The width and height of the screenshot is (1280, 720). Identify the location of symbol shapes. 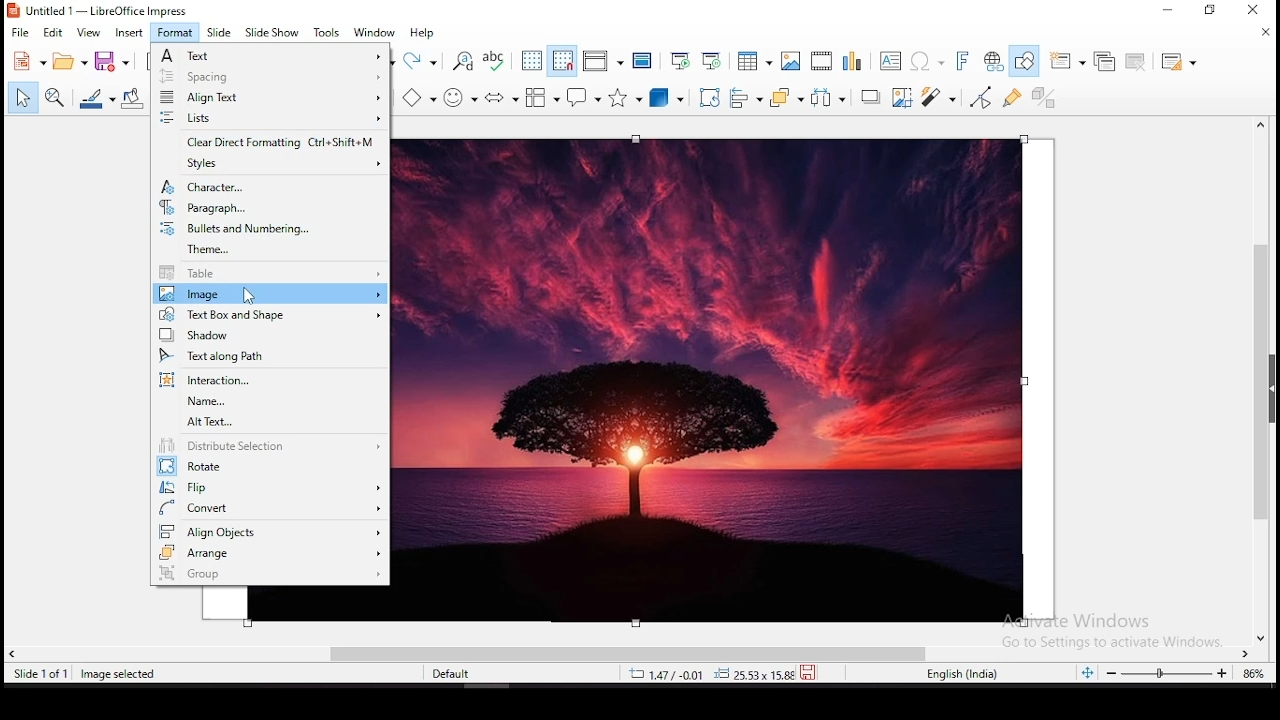
(463, 96).